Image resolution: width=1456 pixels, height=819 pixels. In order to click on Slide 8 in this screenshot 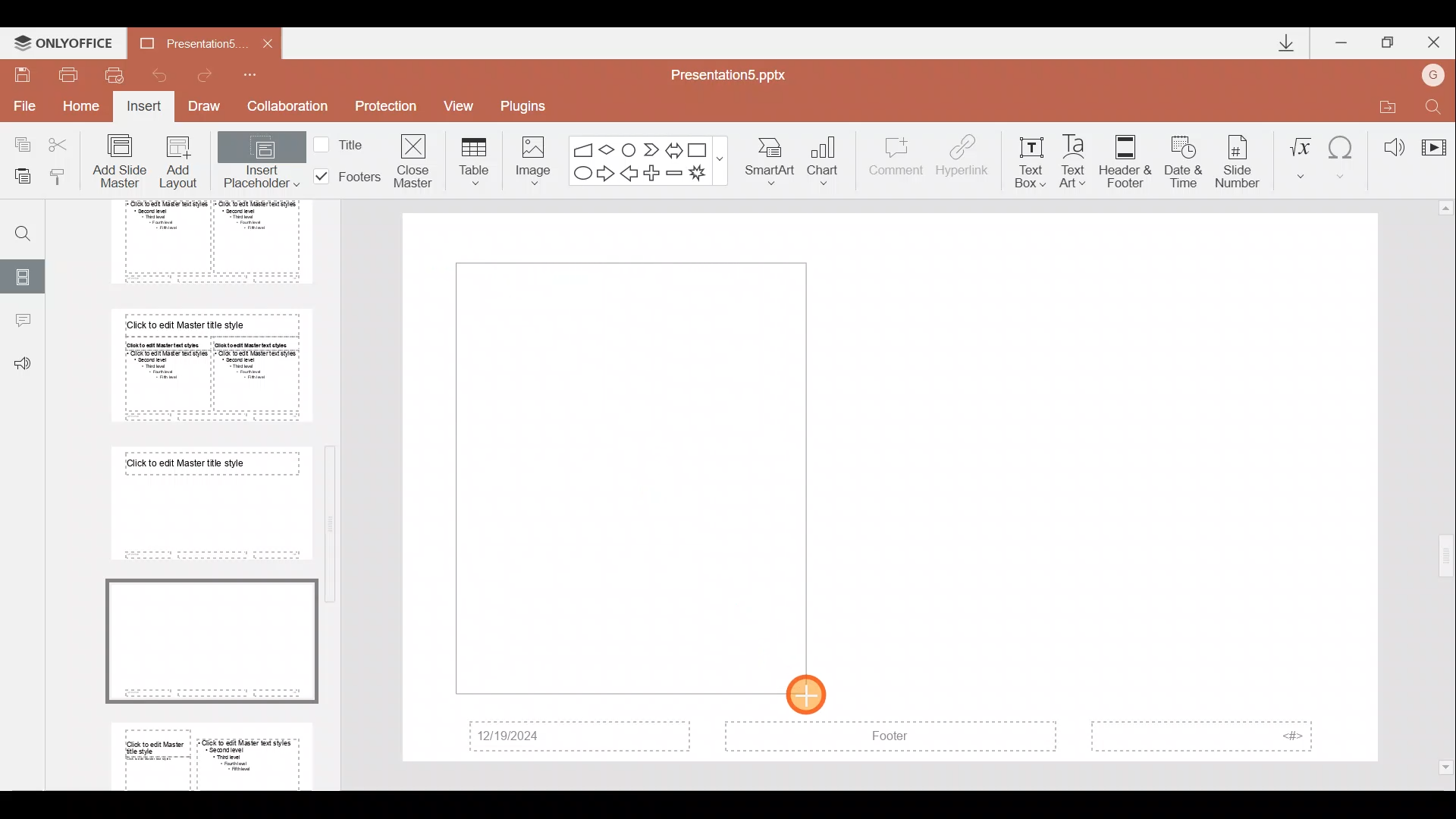, I will do `click(210, 638)`.